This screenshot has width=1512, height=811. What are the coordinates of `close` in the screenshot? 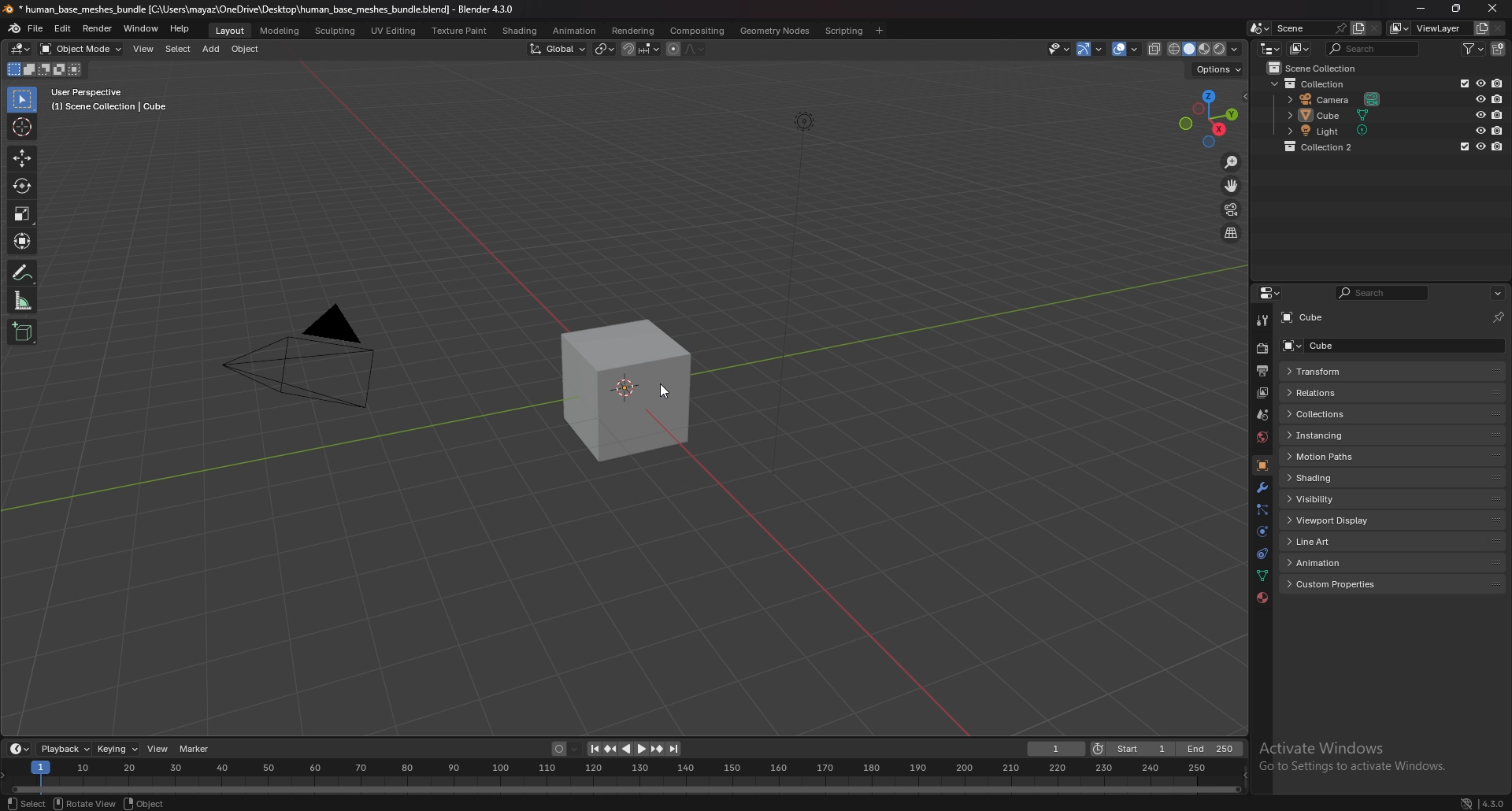 It's located at (1495, 7).